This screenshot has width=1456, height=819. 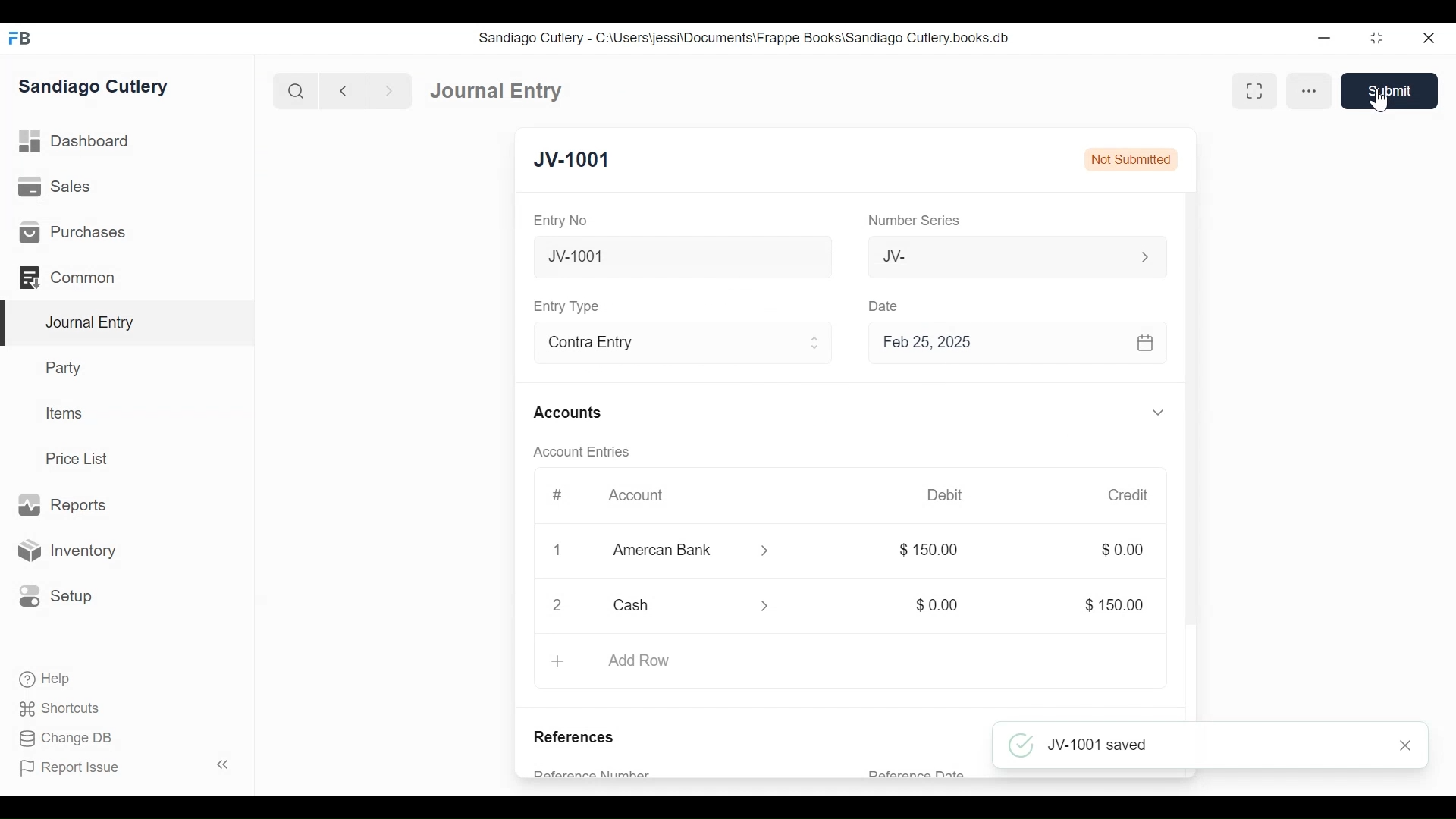 What do you see at coordinates (497, 89) in the screenshot?
I see `Journal Entry` at bounding box center [497, 89].